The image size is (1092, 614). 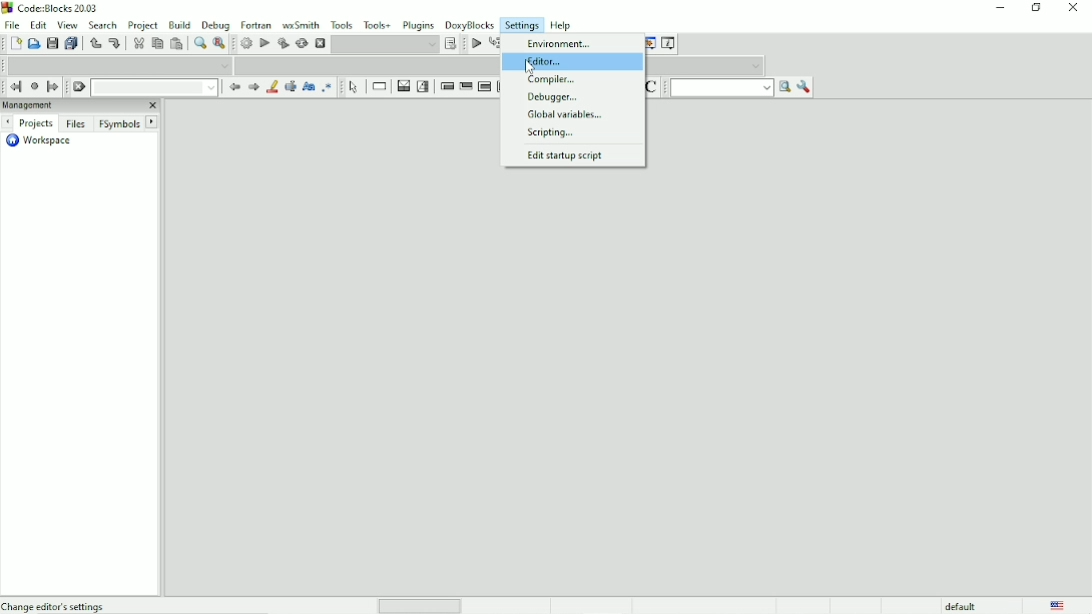 What do you see at coordinates (299, 24) in the screenshot?
I see `wxSmith` at bounding box center [299, 24].